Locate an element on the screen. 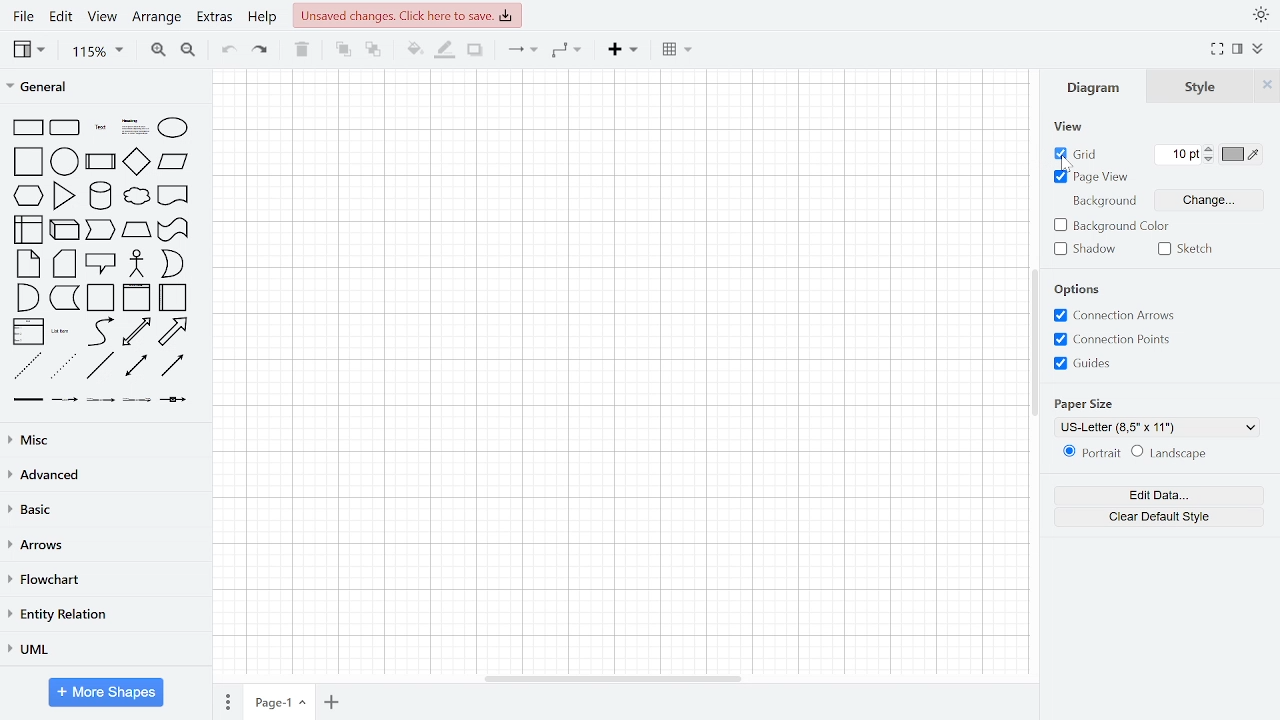 The height and width of the screenshot is (720, 1280). text box is located at coordinates (136, 127).